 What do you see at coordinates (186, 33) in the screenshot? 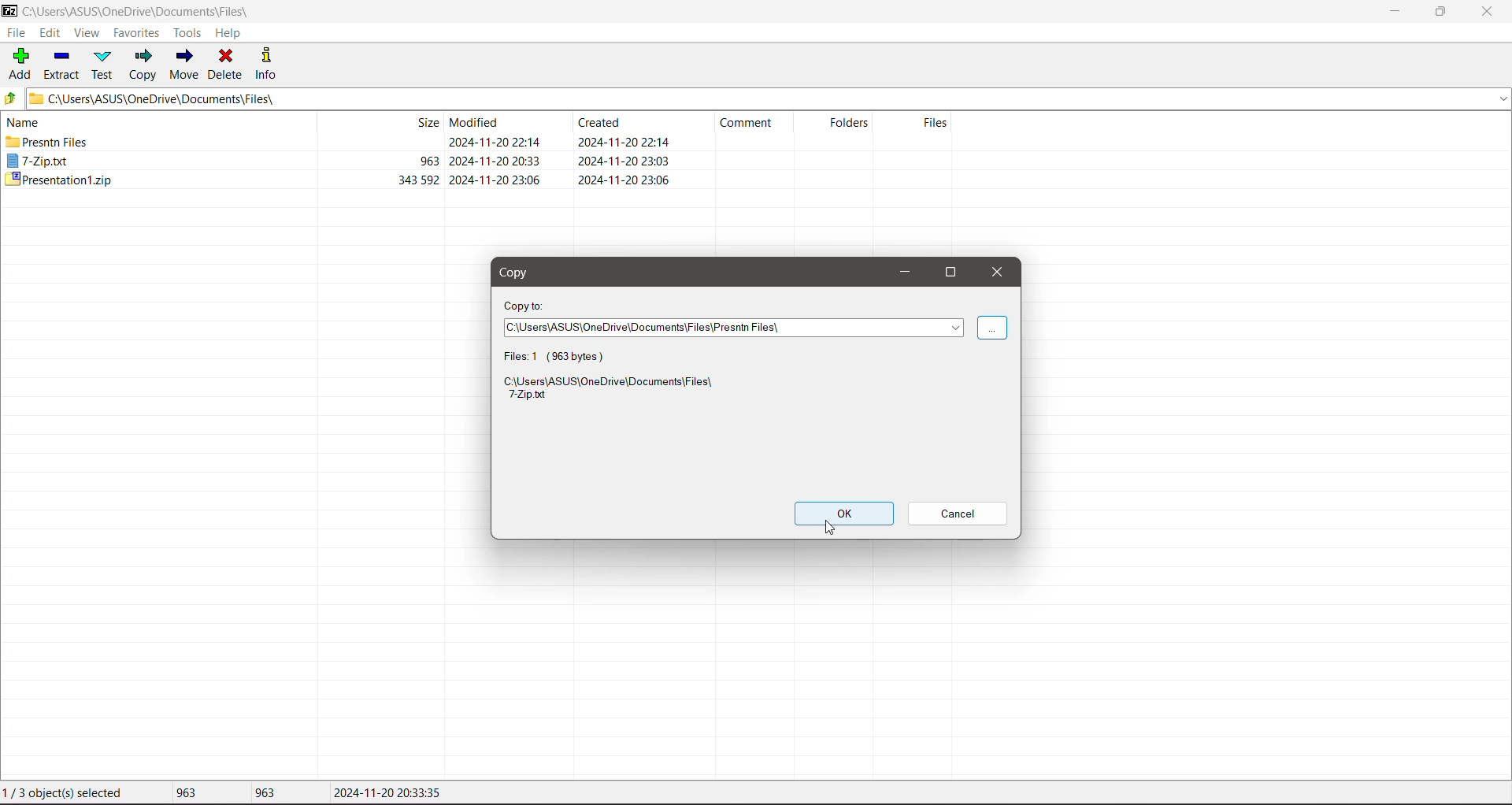
I see `Tools` at bounding box center [186, 33].